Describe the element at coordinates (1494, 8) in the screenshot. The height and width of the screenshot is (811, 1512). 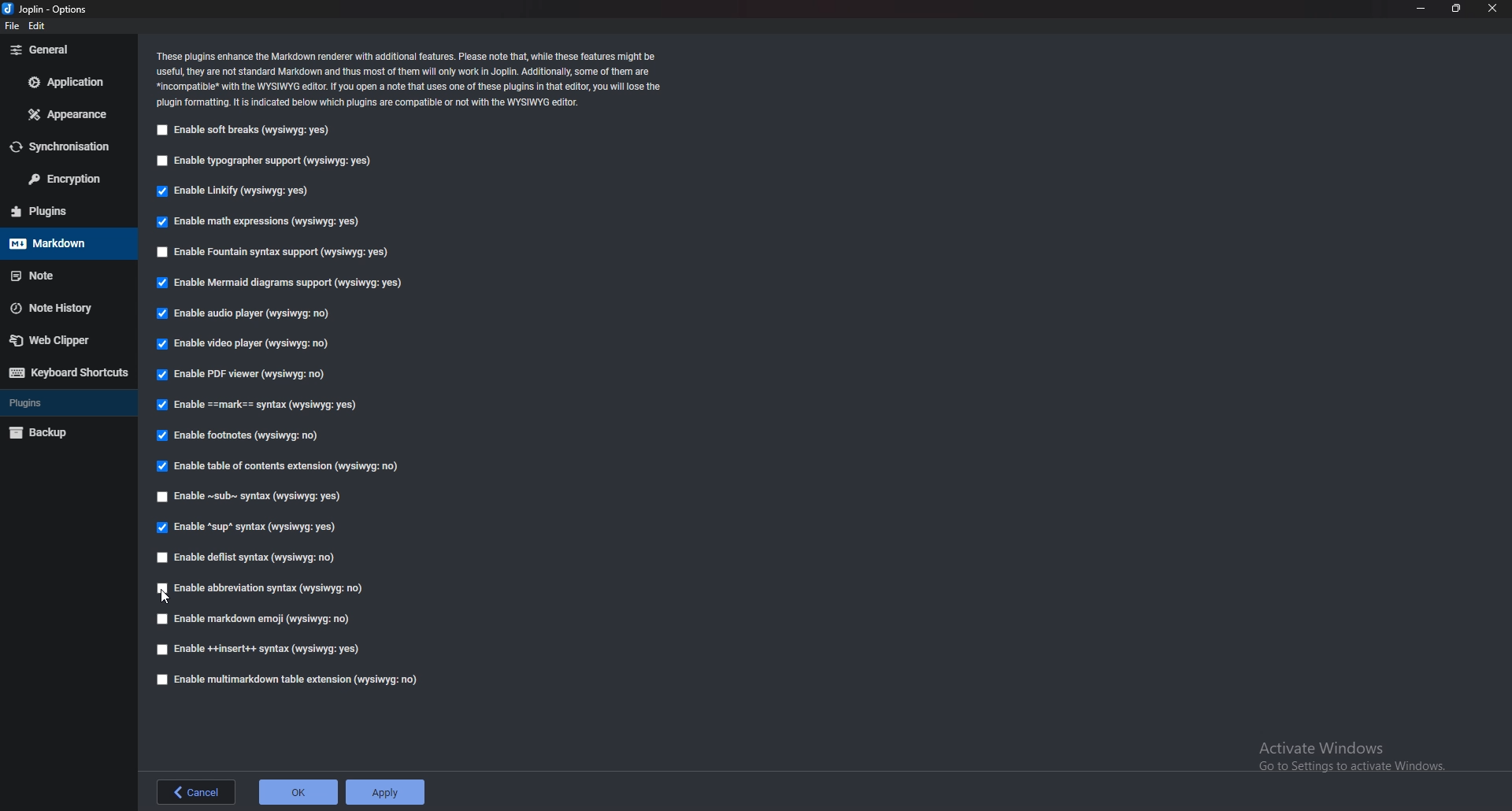
I see `close` at that location.